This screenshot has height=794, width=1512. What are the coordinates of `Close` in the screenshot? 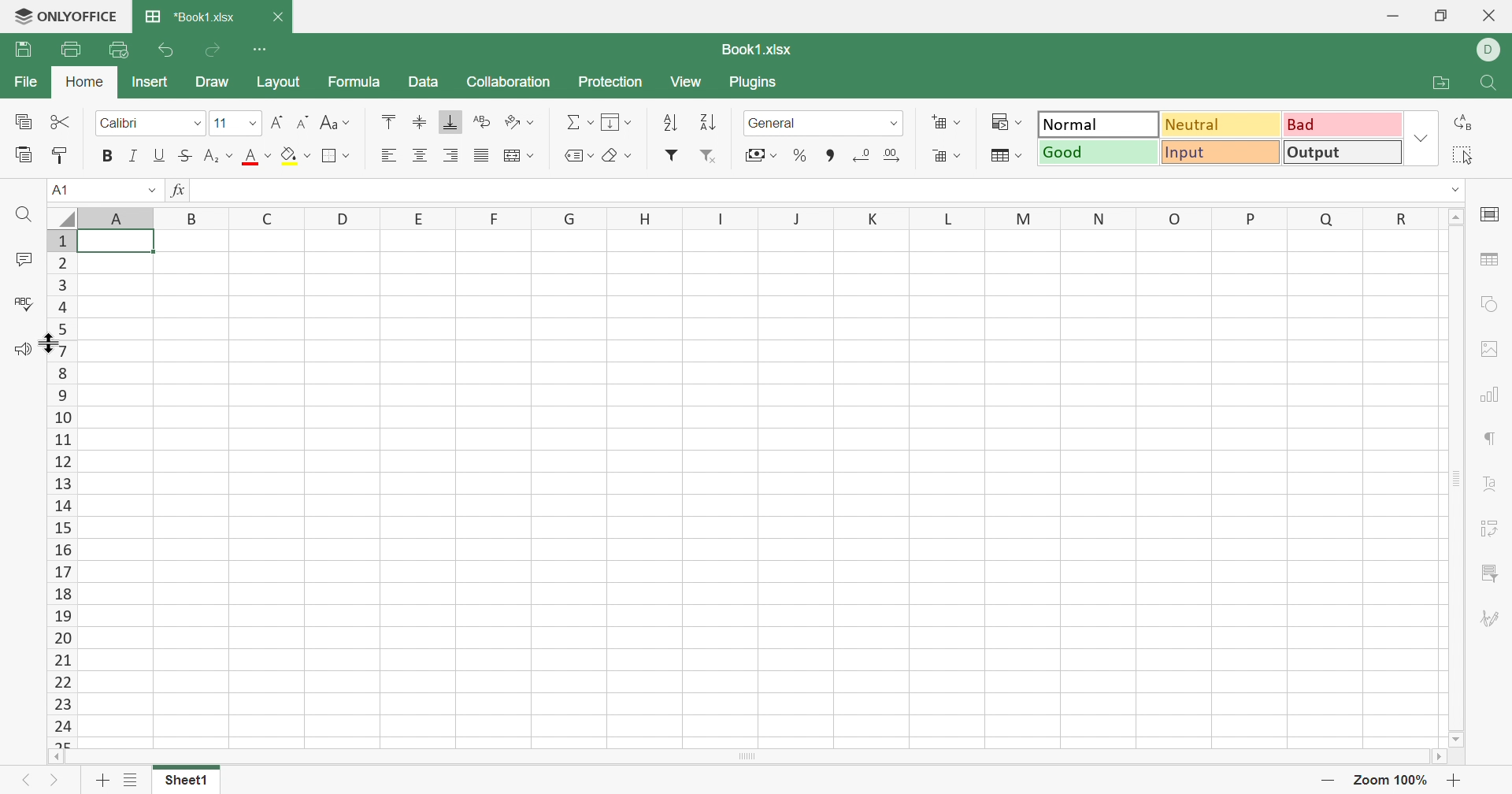 It's located at (275, 16).